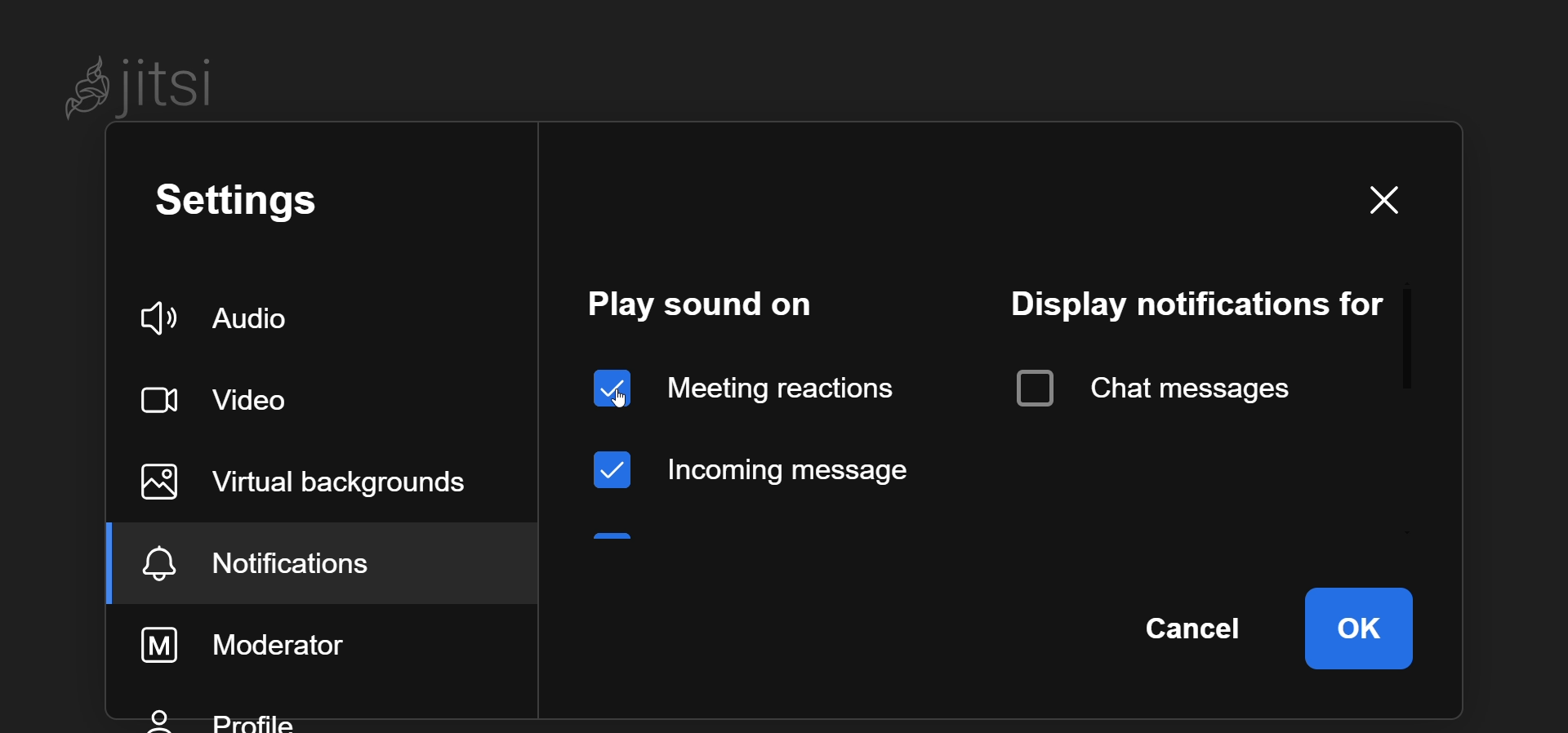 The height and width of the screenshot is (733, 1568). I want to click on video, so click(234, 401).